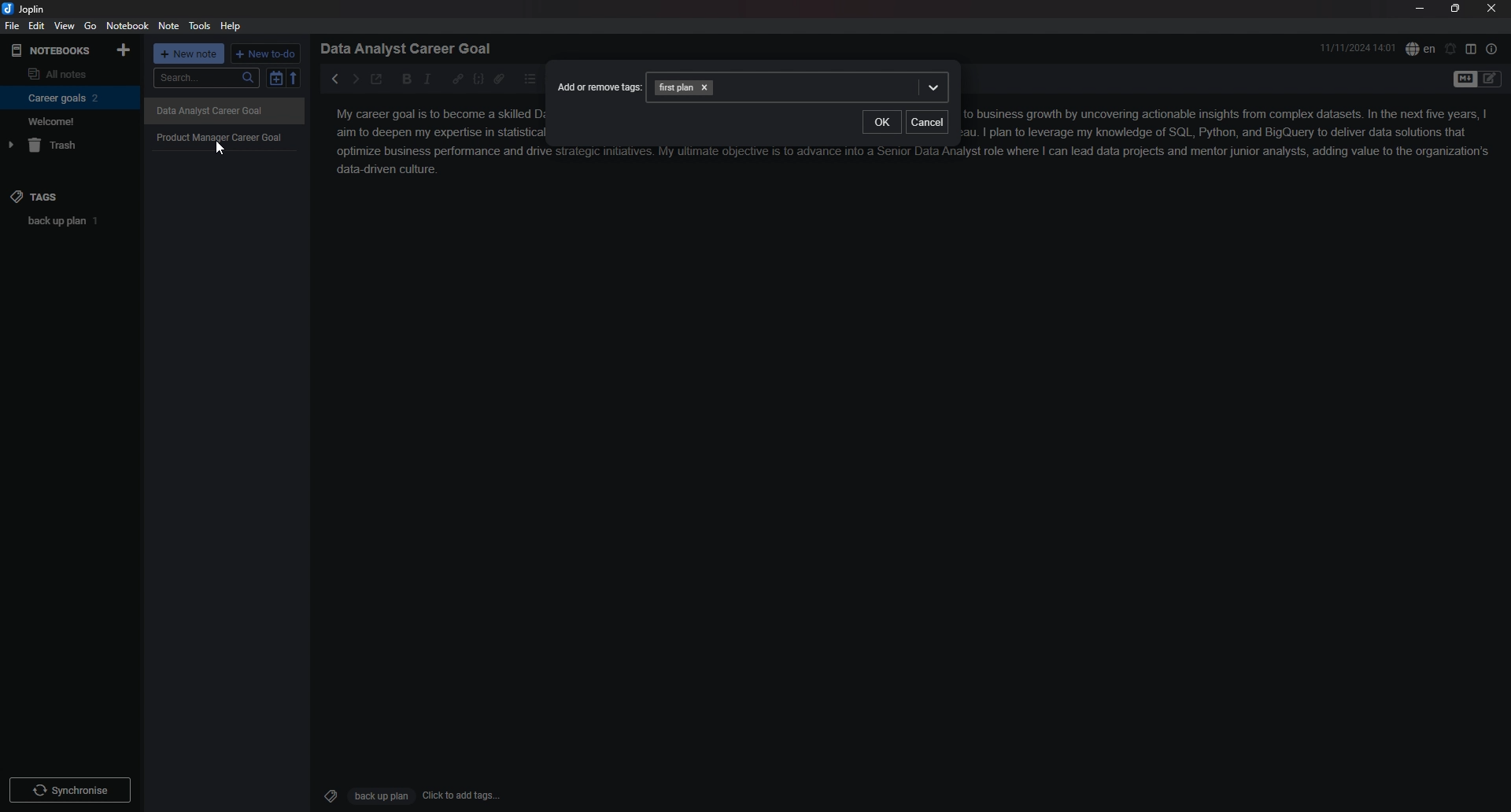 The width and height of the screenshot is (1511, 812). I want to click on add notebook, so click(125, 50).